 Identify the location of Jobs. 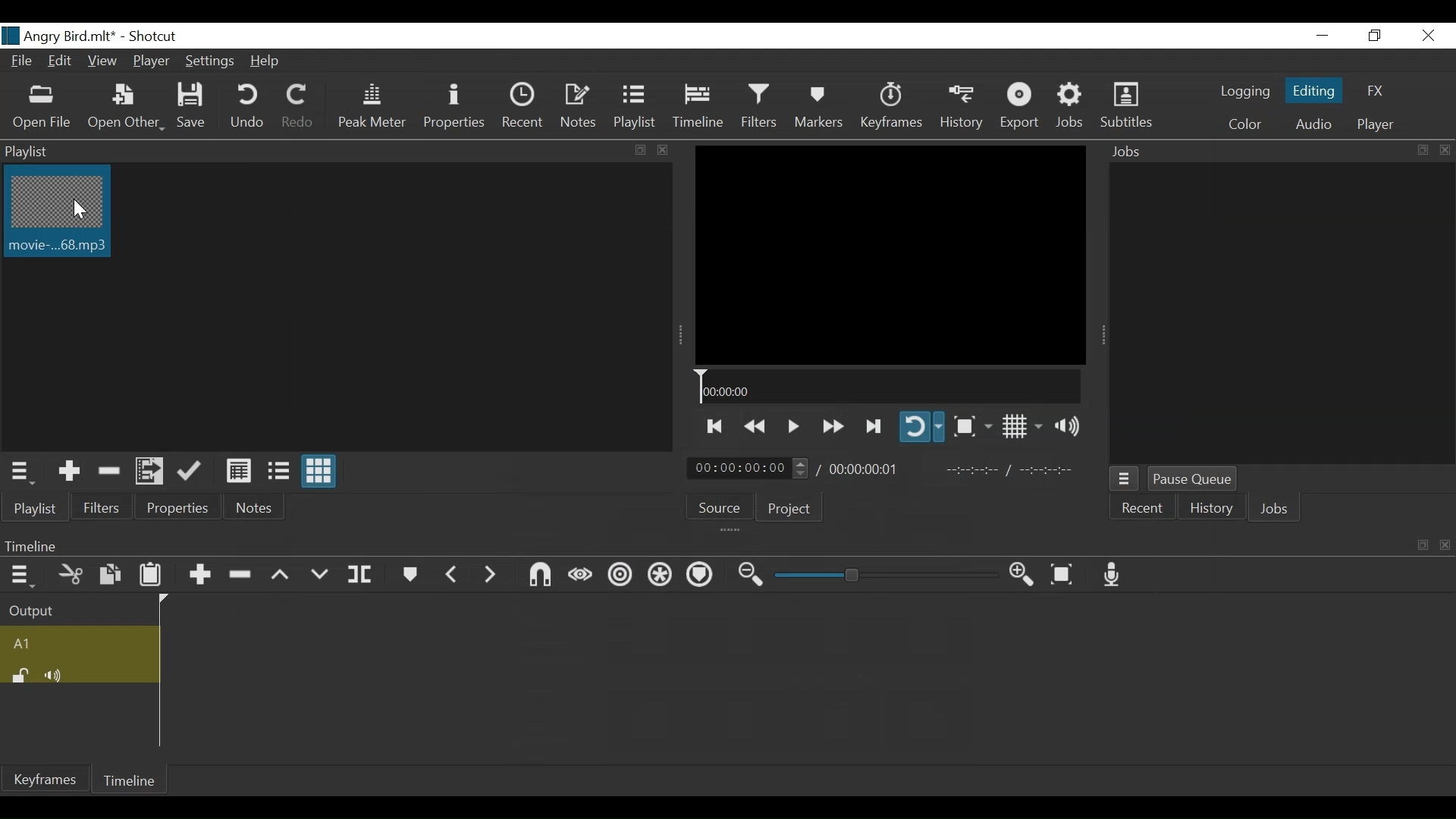
(1254, 152).